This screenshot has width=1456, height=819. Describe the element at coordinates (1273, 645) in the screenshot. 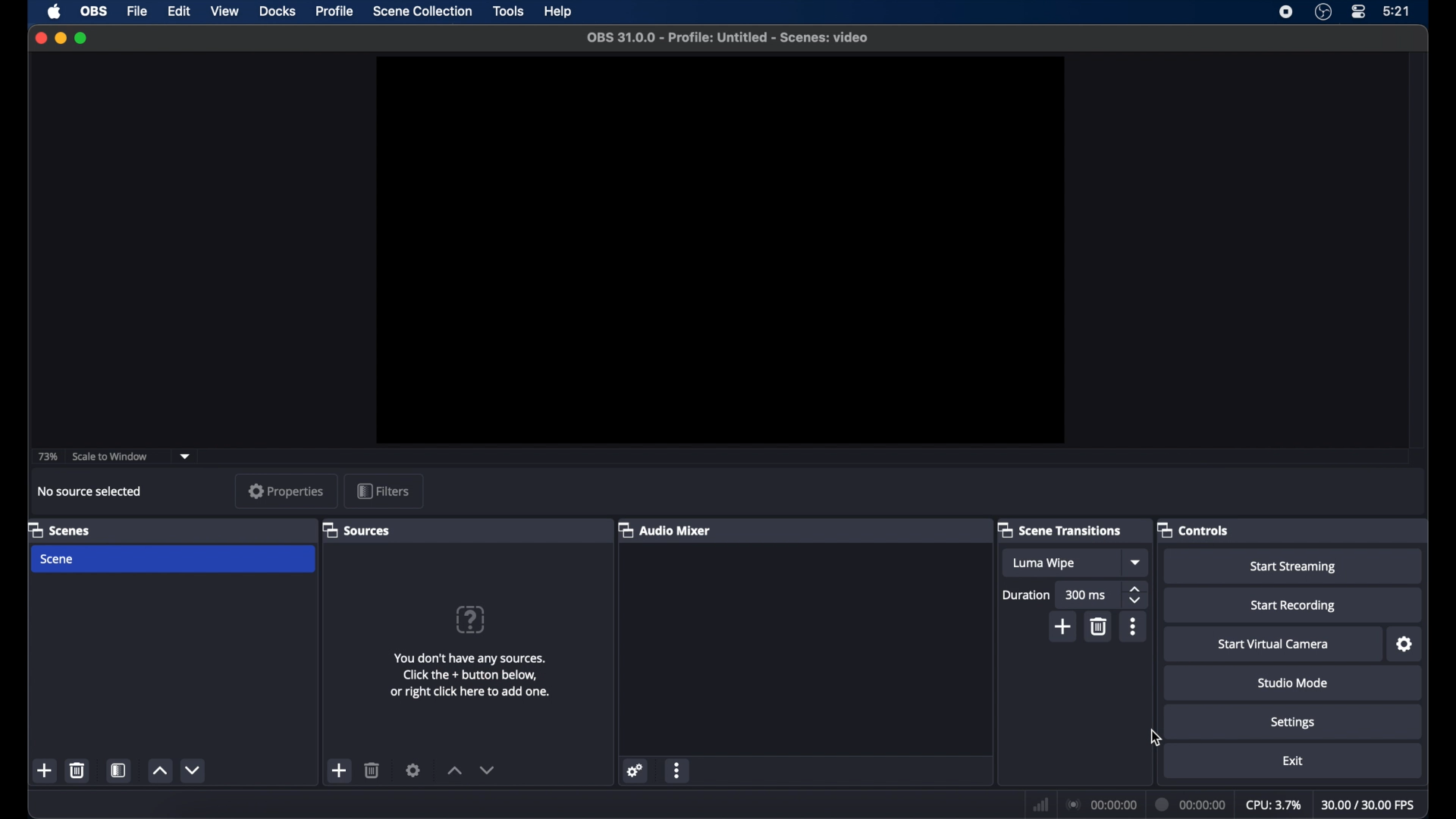

I see `start virtual camera` at that location.